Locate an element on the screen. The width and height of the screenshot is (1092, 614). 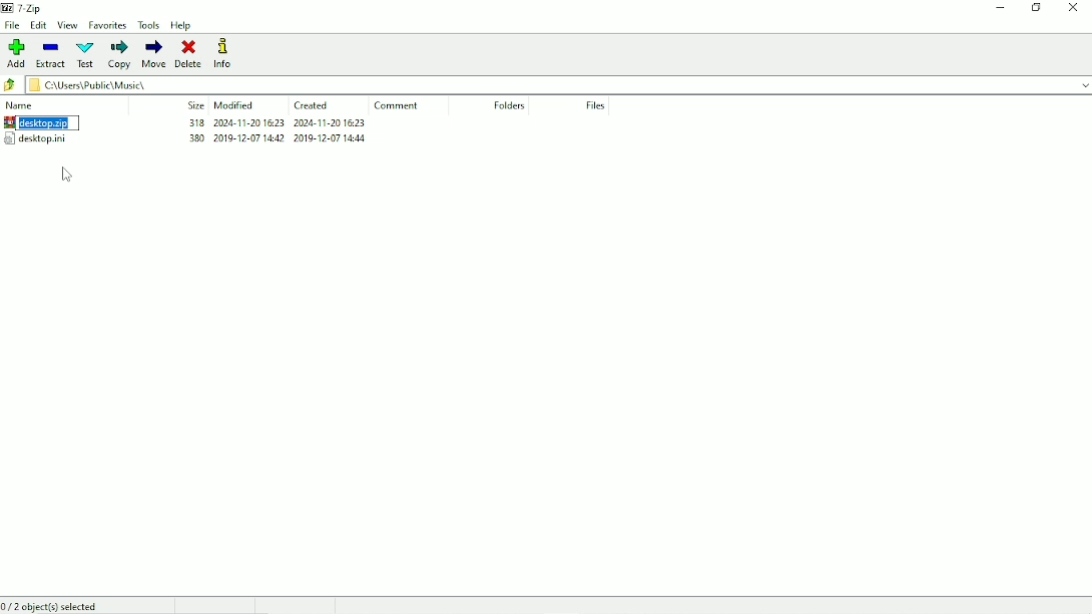
Test is located at coordinates (84, 54).